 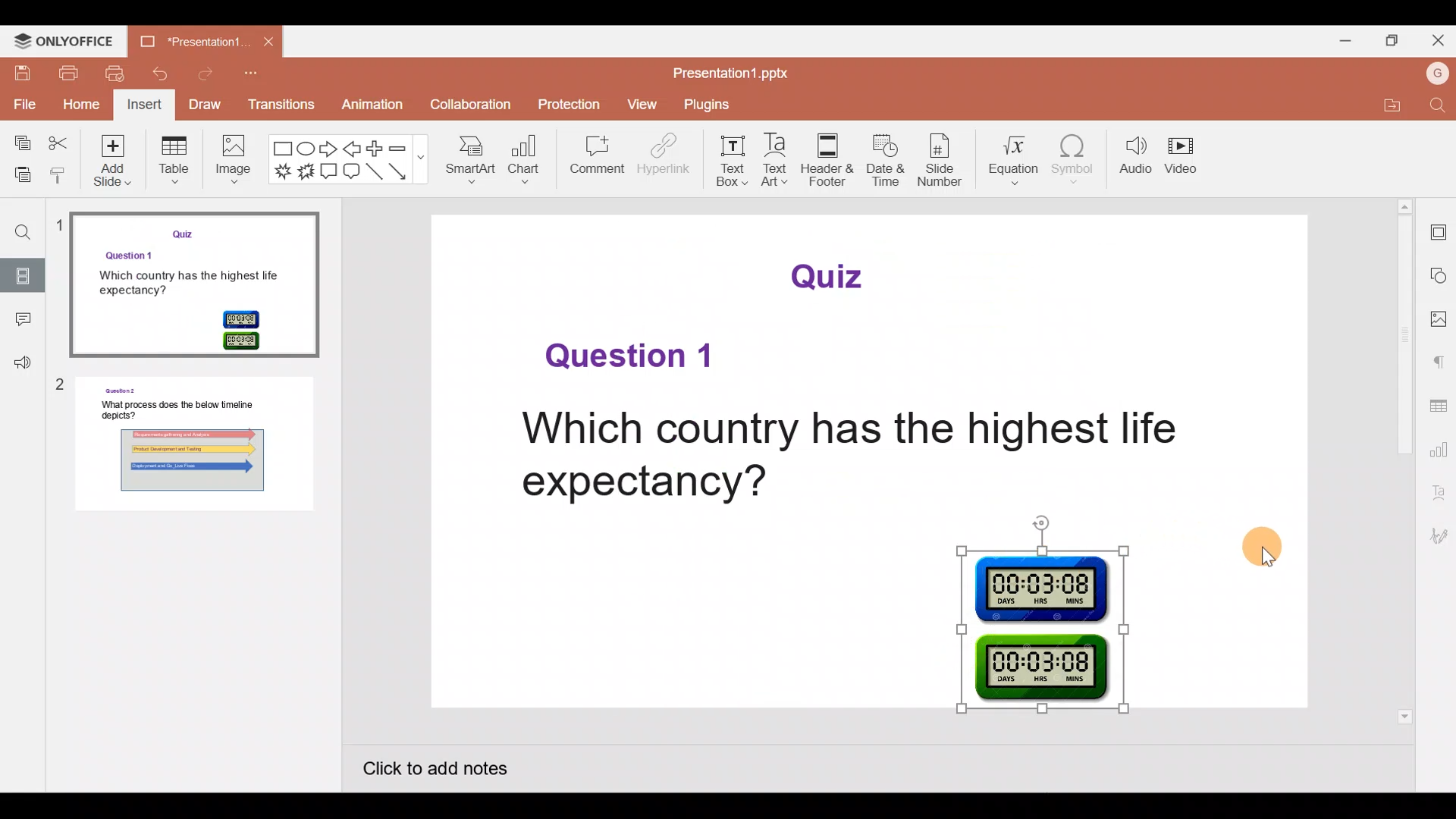 What do you see at coordinates (282, 105) in the screenshot?
I see `Transitions` at bounding box center [282, 105].